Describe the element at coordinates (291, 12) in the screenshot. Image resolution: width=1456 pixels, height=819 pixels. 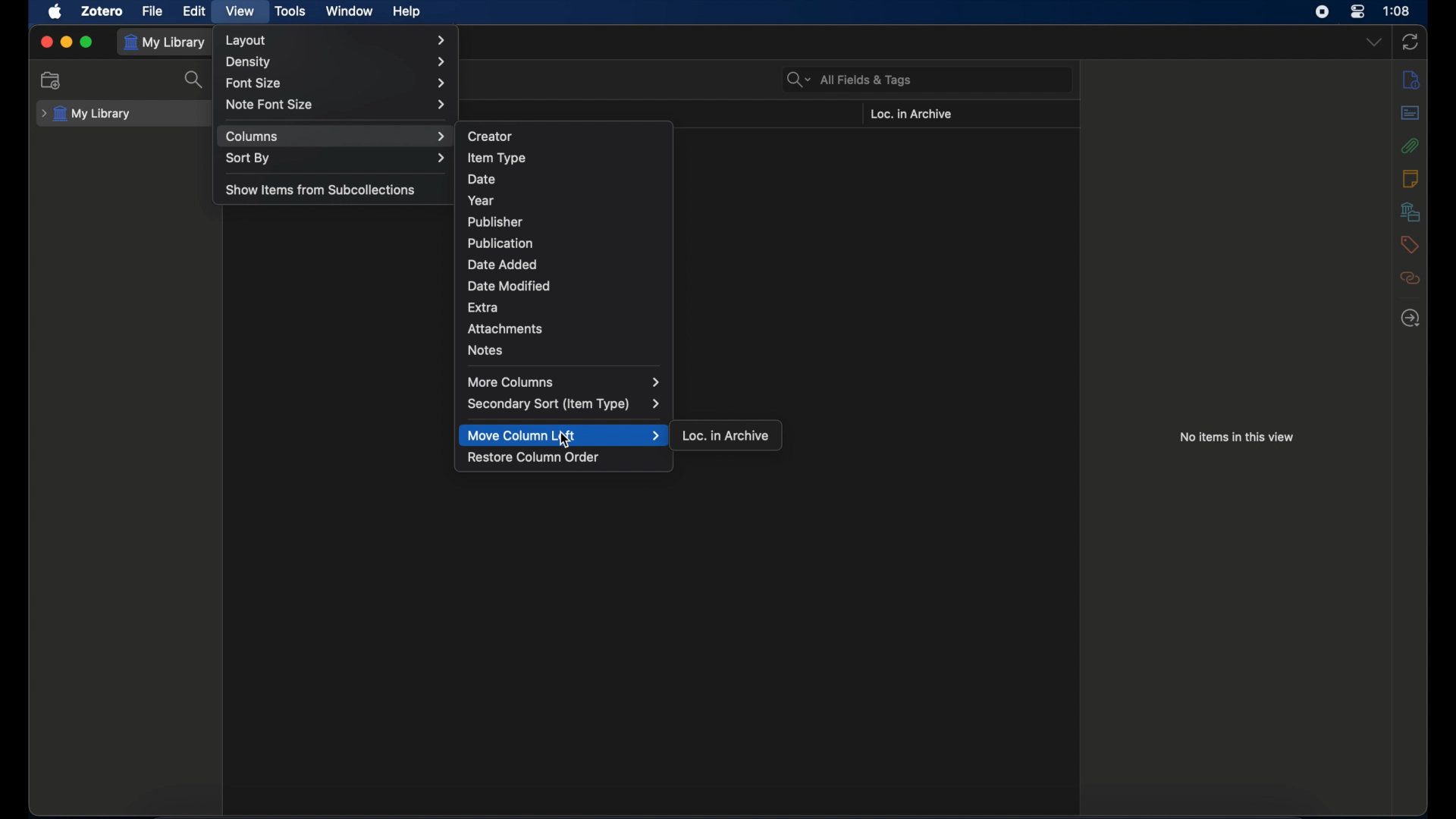
I see `tools` at that location.